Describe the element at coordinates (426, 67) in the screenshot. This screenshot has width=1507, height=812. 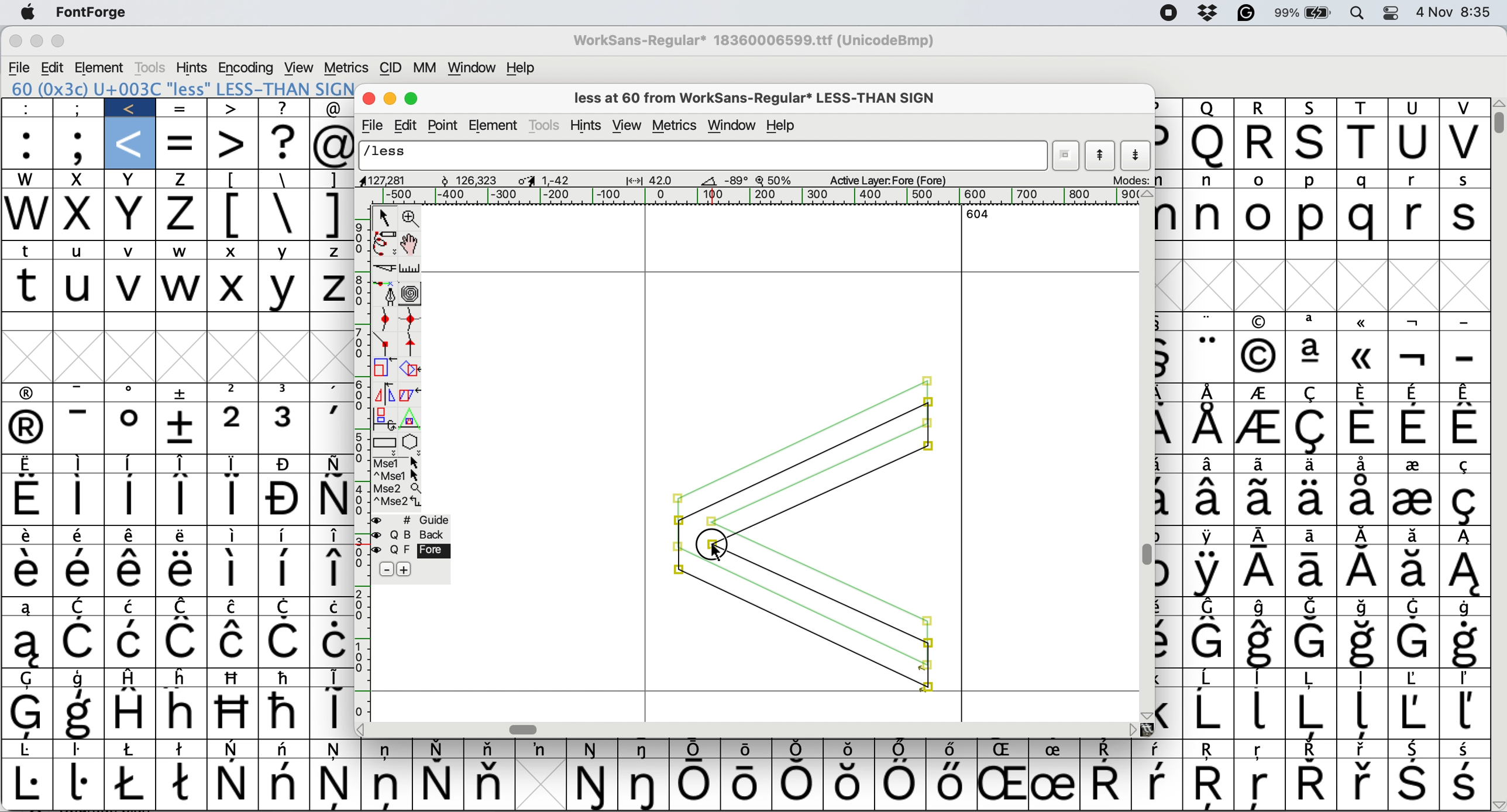
I see `mm` at that location.